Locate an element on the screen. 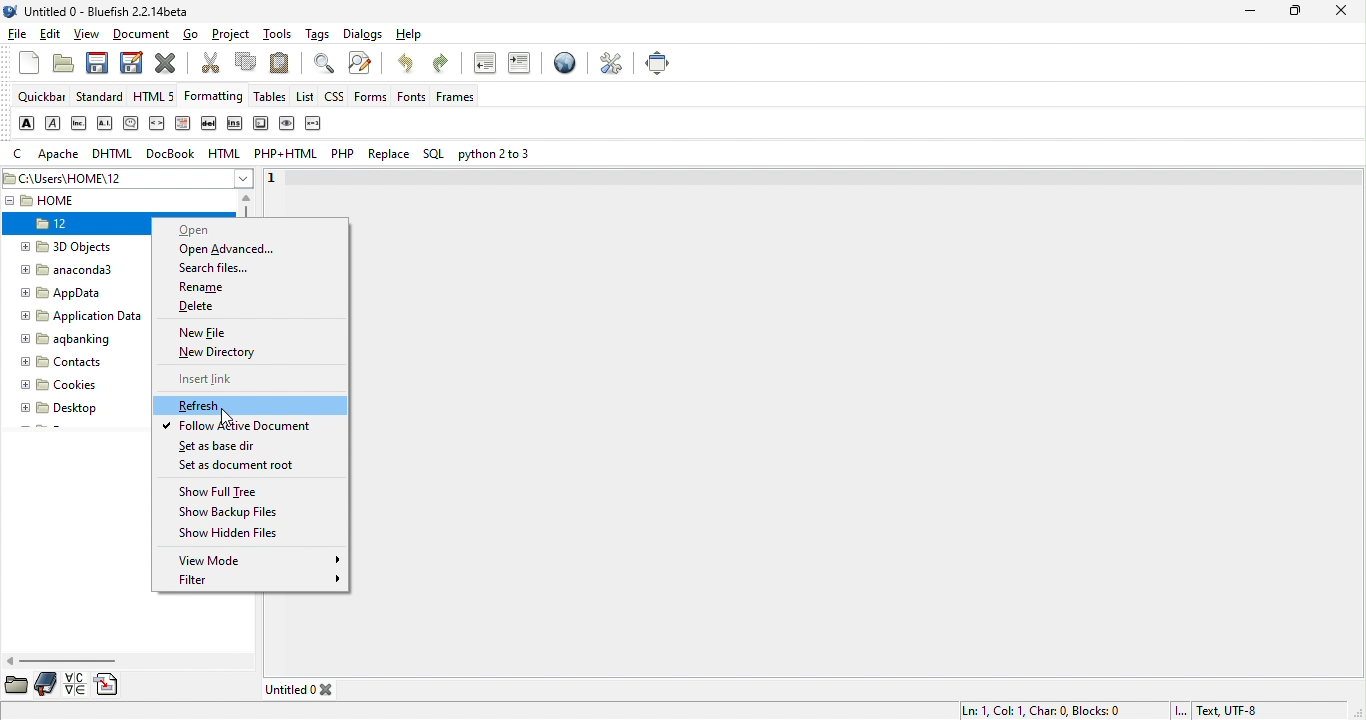 The image size is (1366, 720). cursor movement is located at coordinates (232, 415).